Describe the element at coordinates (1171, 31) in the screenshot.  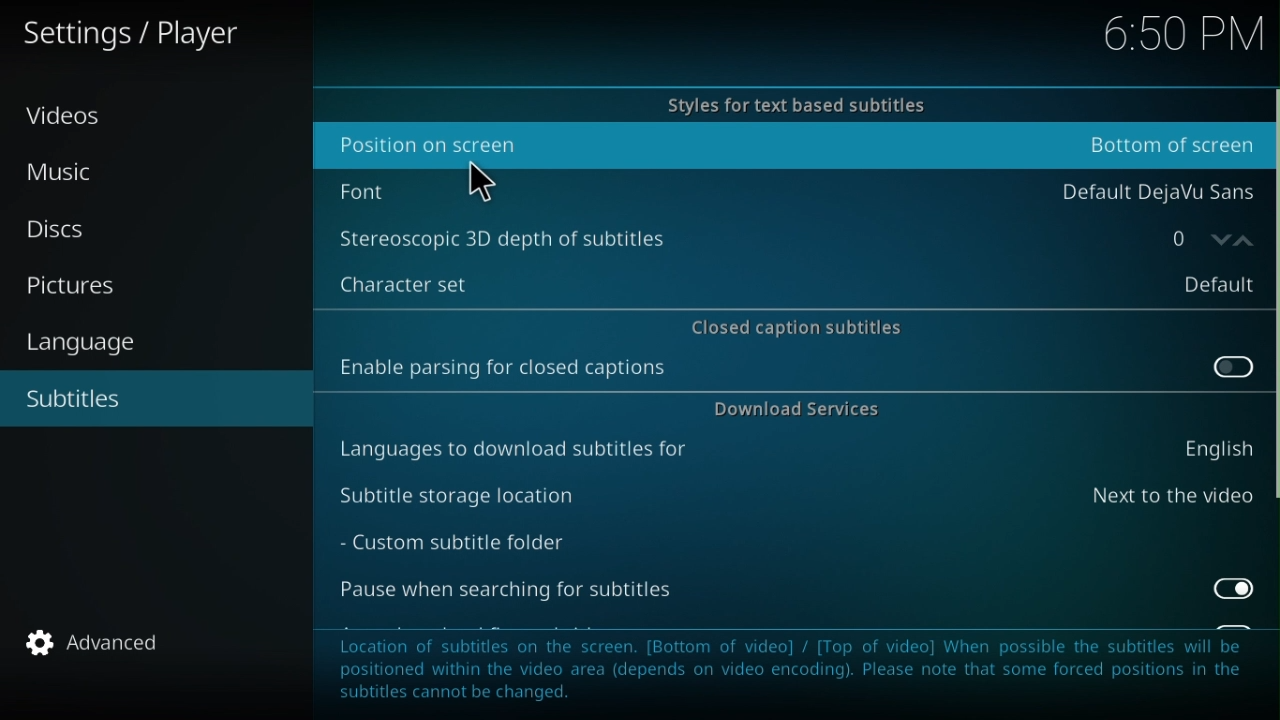
I see `6.50 pm` at that location.